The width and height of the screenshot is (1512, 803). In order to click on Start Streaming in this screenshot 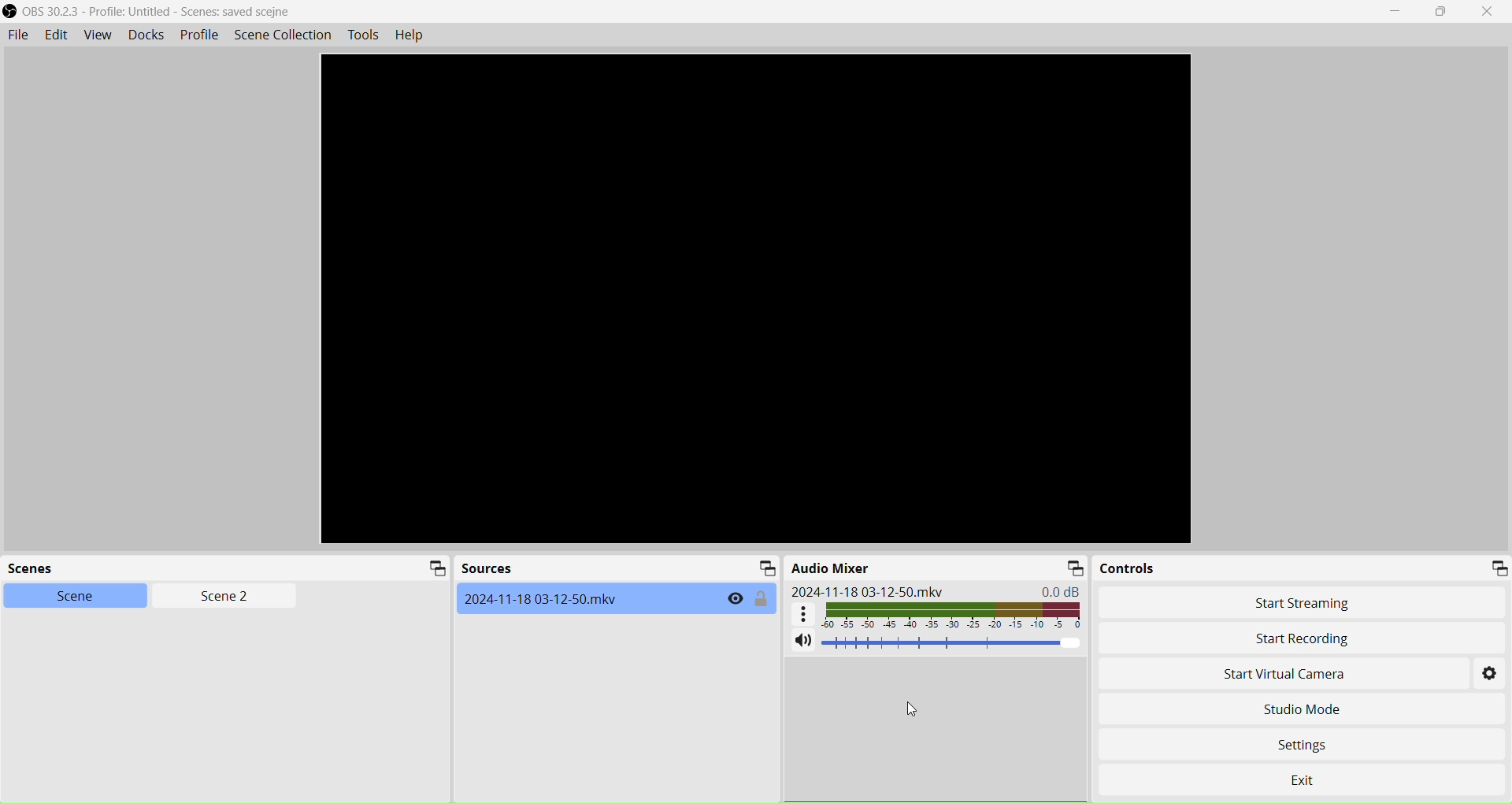, I will do `click(1306, 603)`.